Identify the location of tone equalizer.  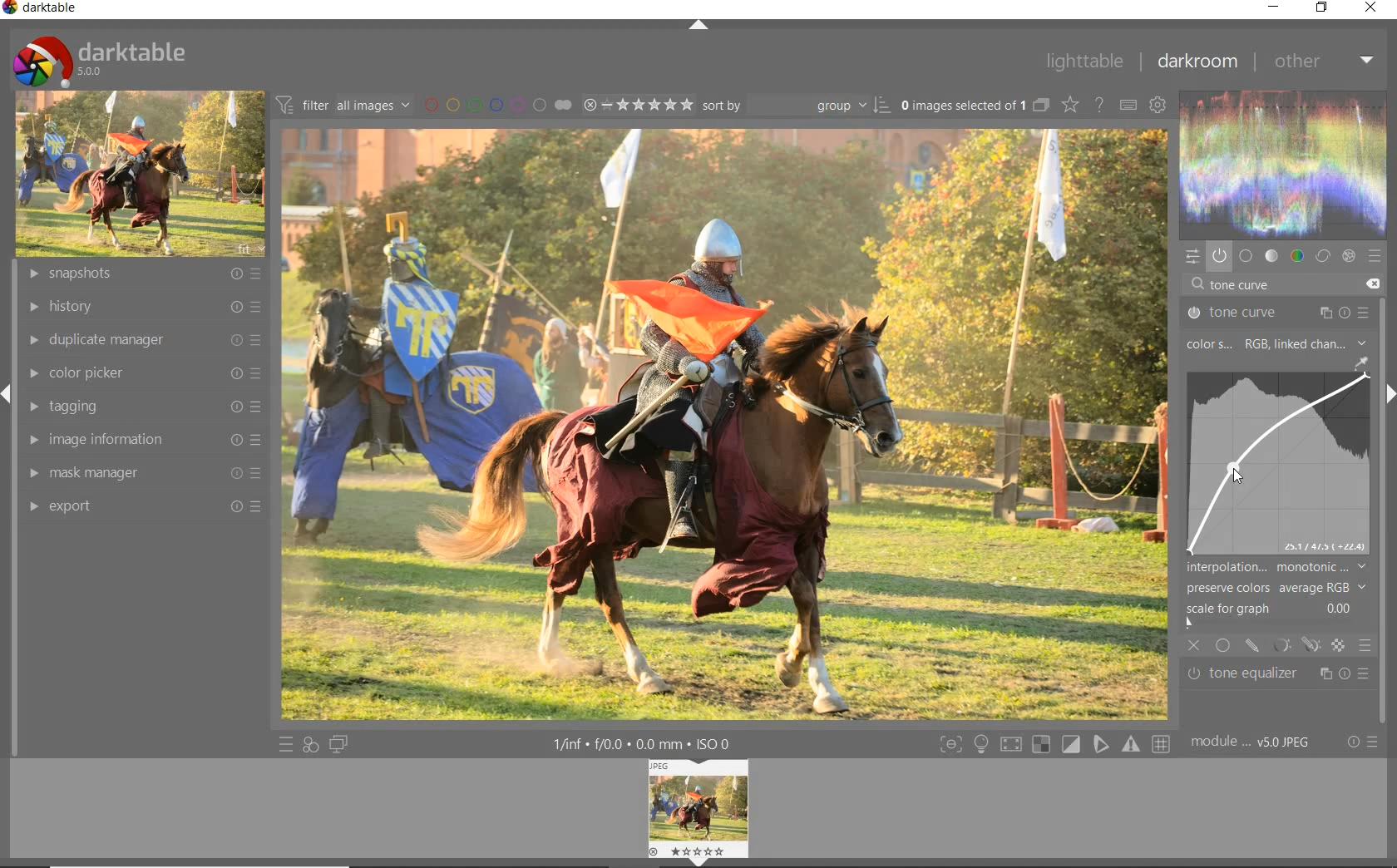
(1279, 674).